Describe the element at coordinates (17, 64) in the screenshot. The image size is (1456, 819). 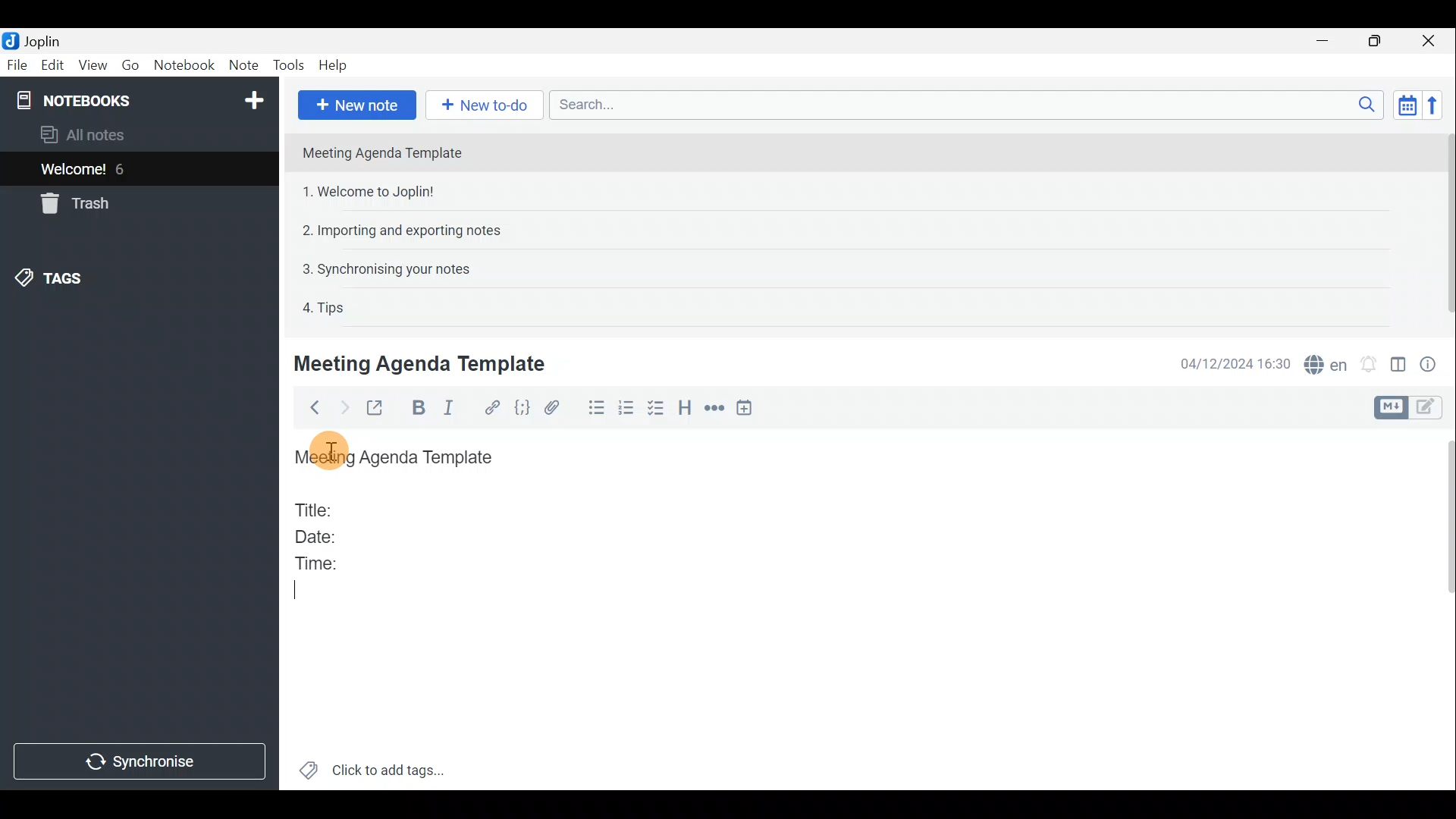
I see `File` at that location.